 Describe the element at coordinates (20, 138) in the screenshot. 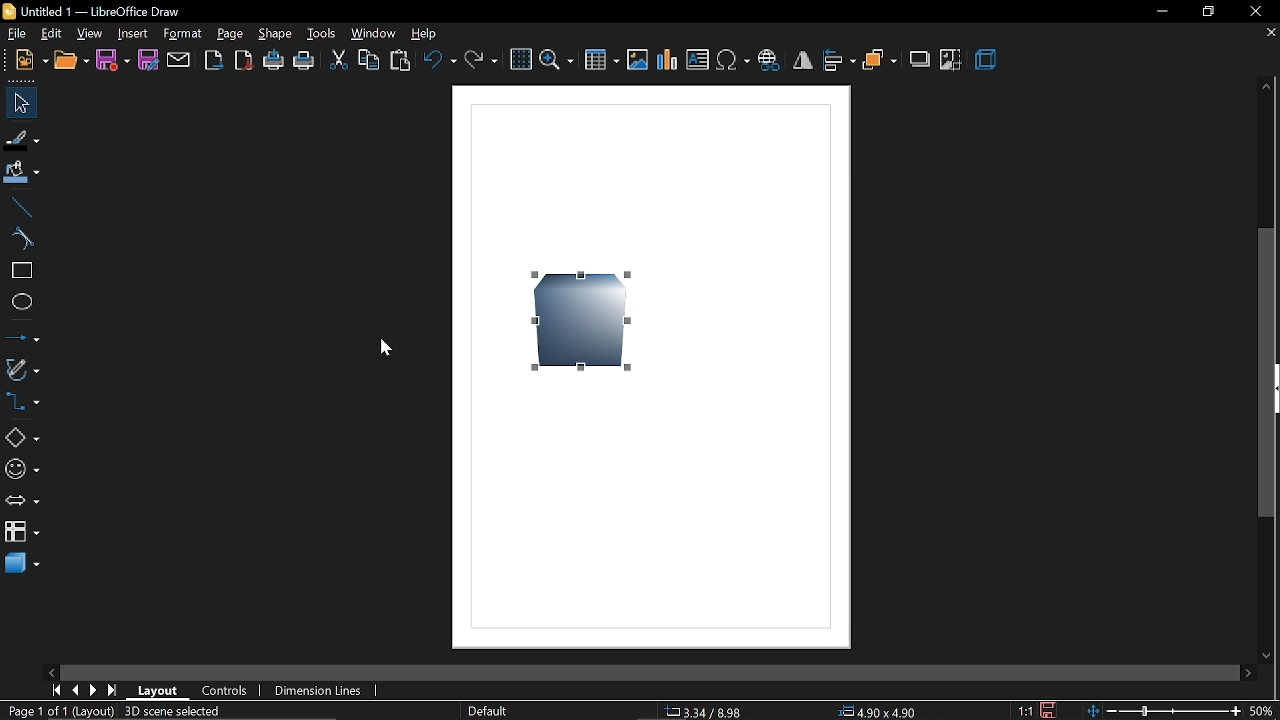

I see `fill line` at that location.